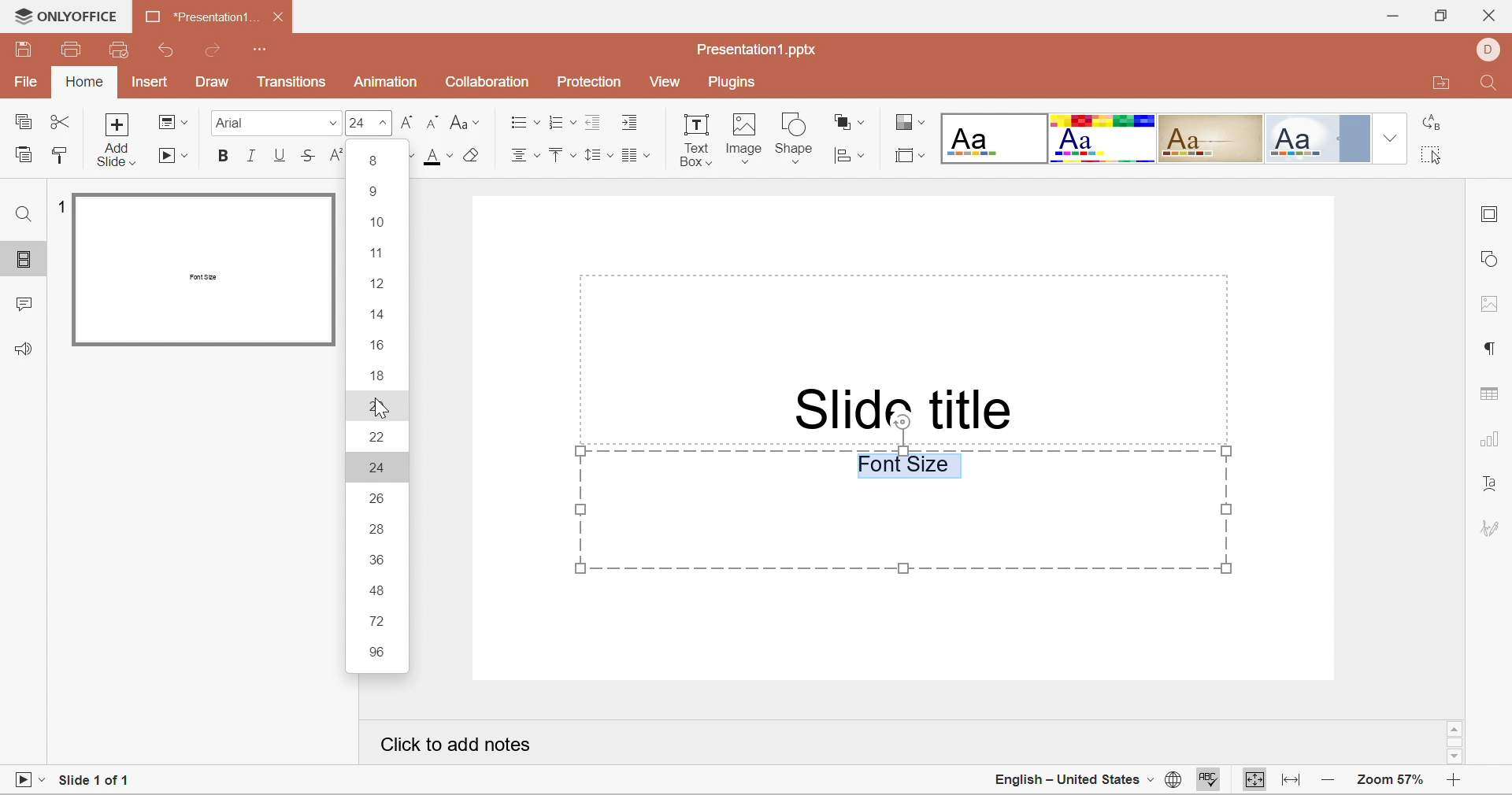 The width and height of the screenshot is (1512, 795). What do you see at coordinates (1291, 782) in the screenshot?
I see `Fit to width` at bounding box center [1291, 782].